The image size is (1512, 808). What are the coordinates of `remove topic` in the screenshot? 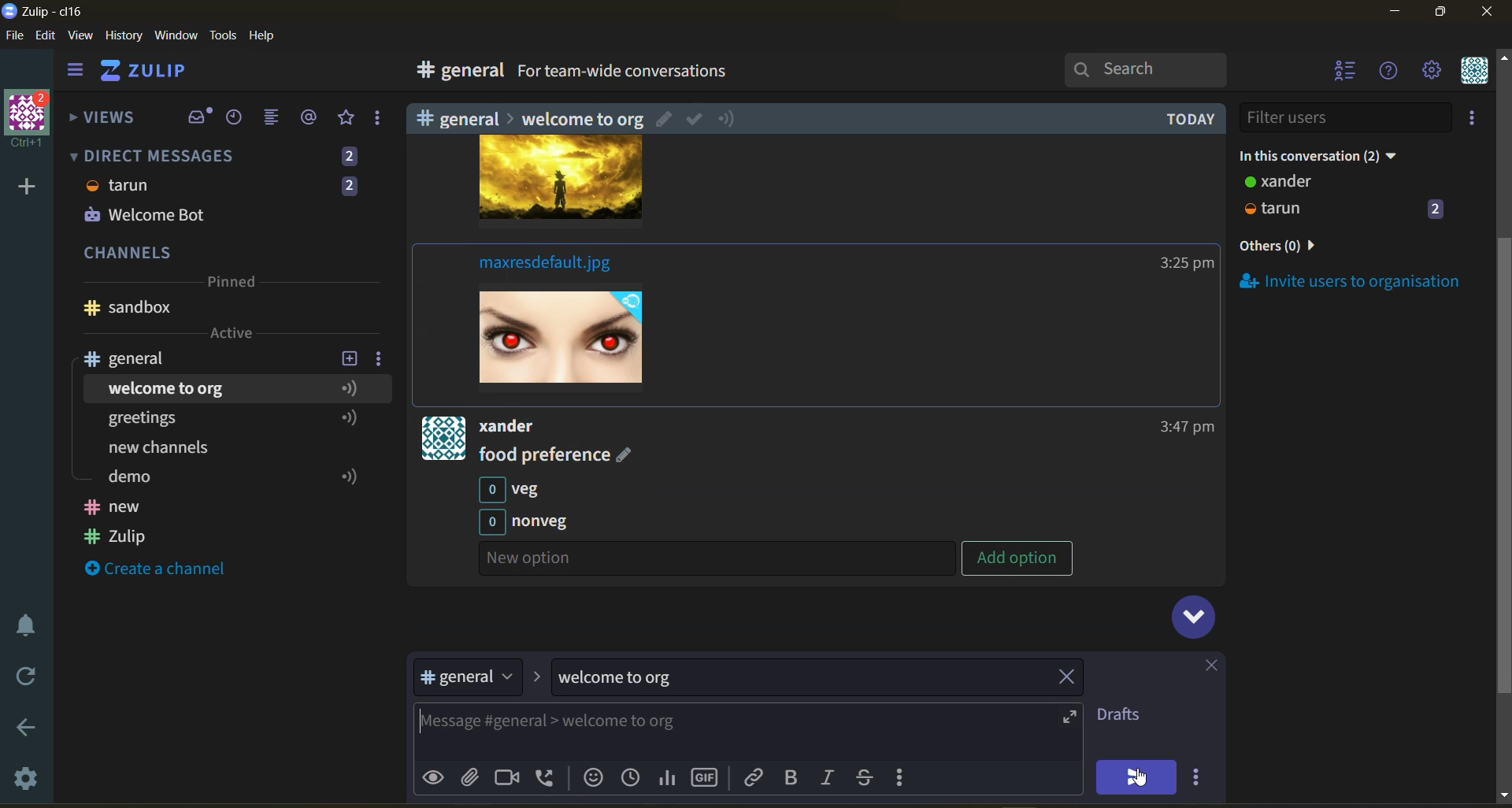 It's located at (1067, 677).